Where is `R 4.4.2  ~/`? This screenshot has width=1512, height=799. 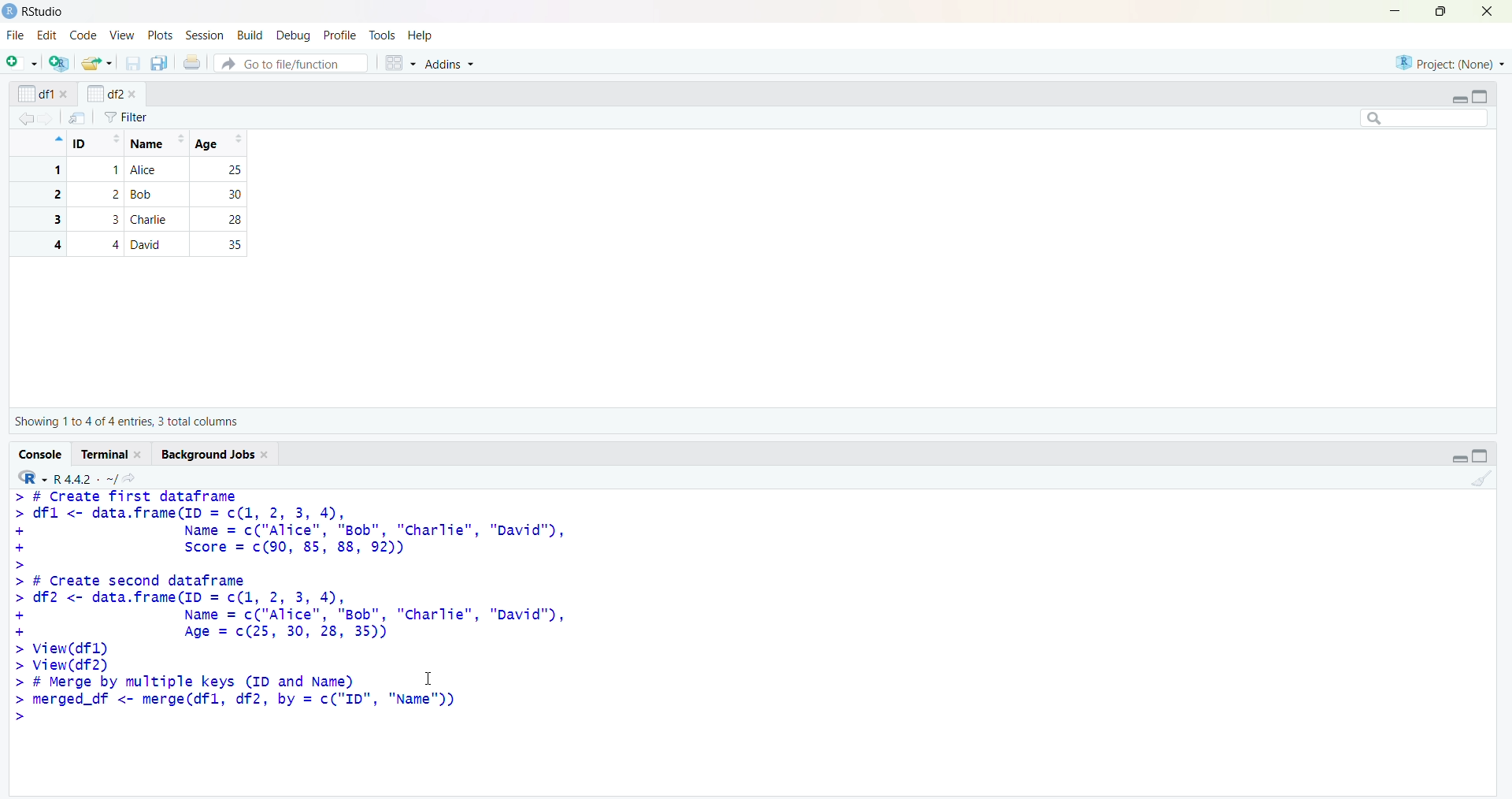
R 4.4.2  ~/ is located at coordinates (85, 479).